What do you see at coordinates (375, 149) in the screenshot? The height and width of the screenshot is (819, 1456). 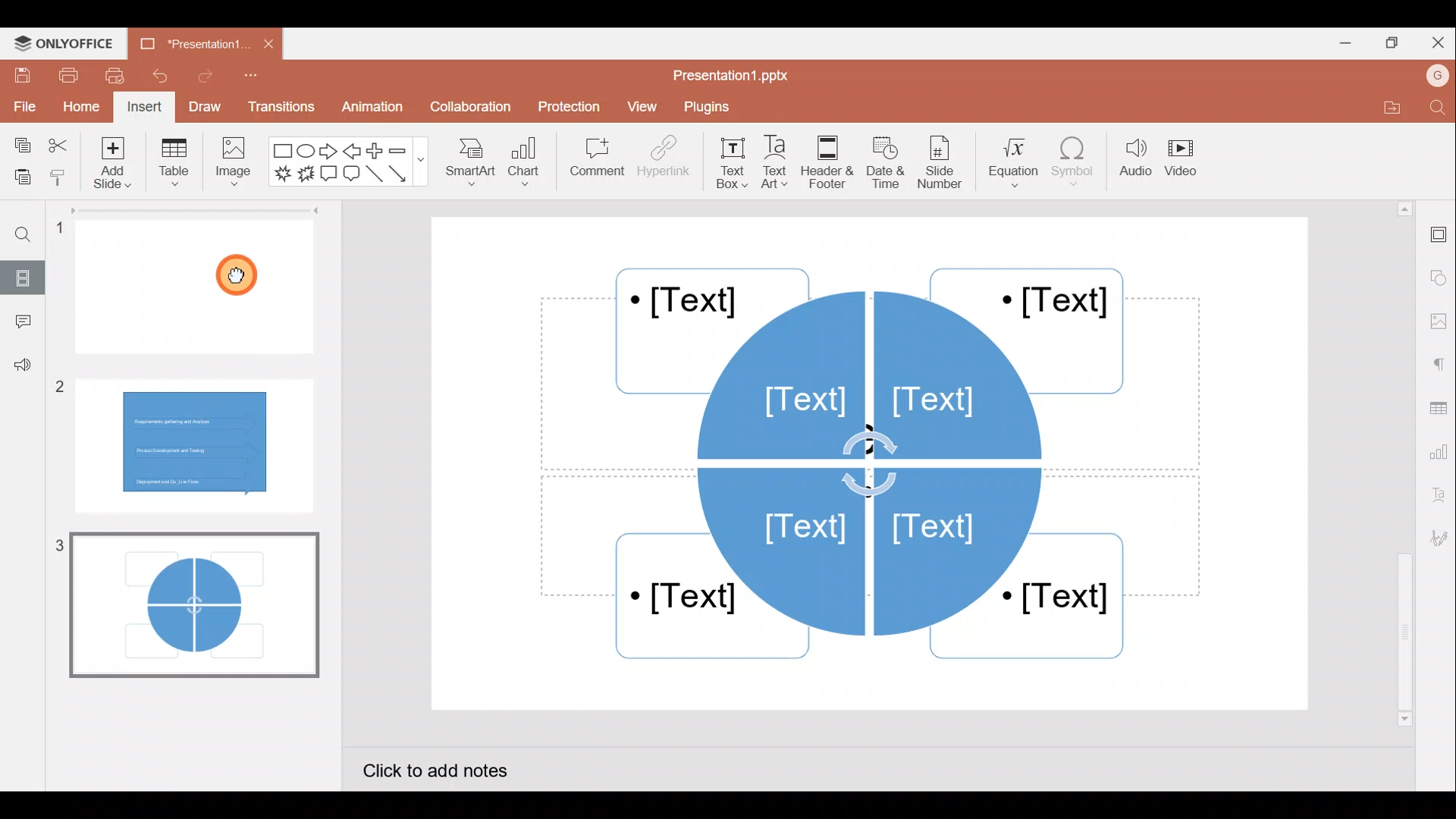 I see `Plus` at bounding box center [375, 149].